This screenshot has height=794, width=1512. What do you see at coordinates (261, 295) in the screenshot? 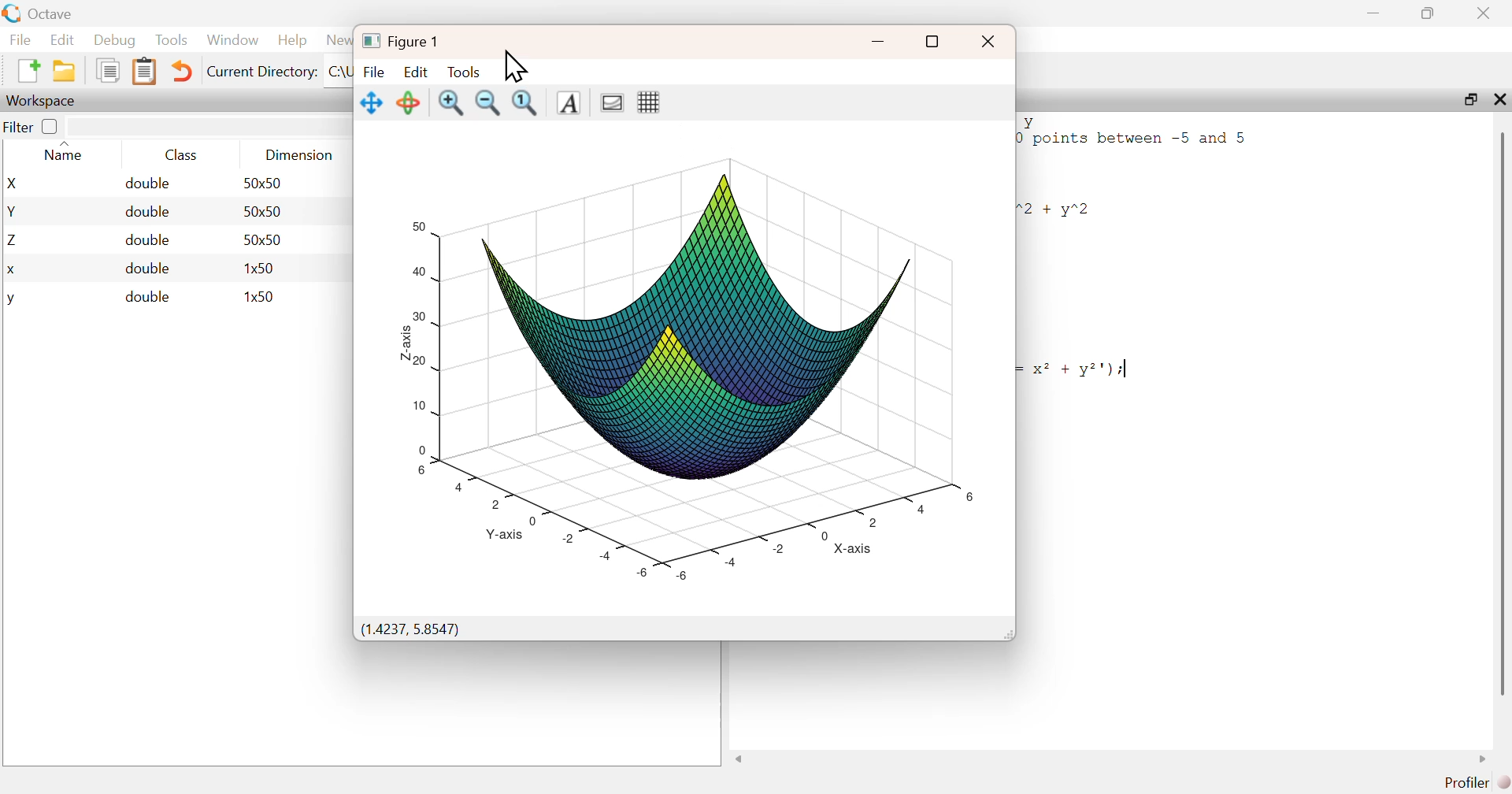
I see `1x50` at bounding box center [261, 295].